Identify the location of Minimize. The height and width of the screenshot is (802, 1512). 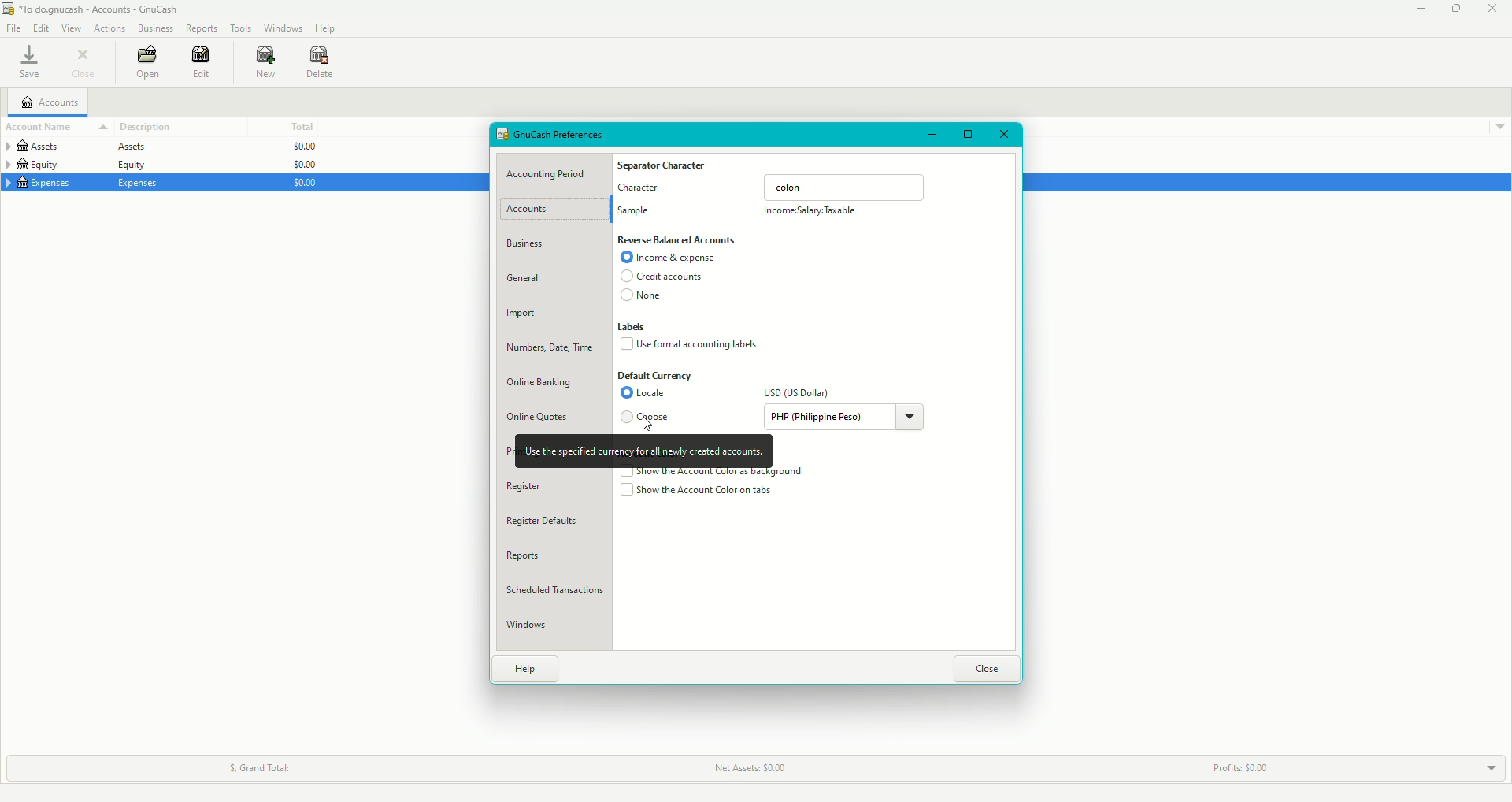
(1421, 9).